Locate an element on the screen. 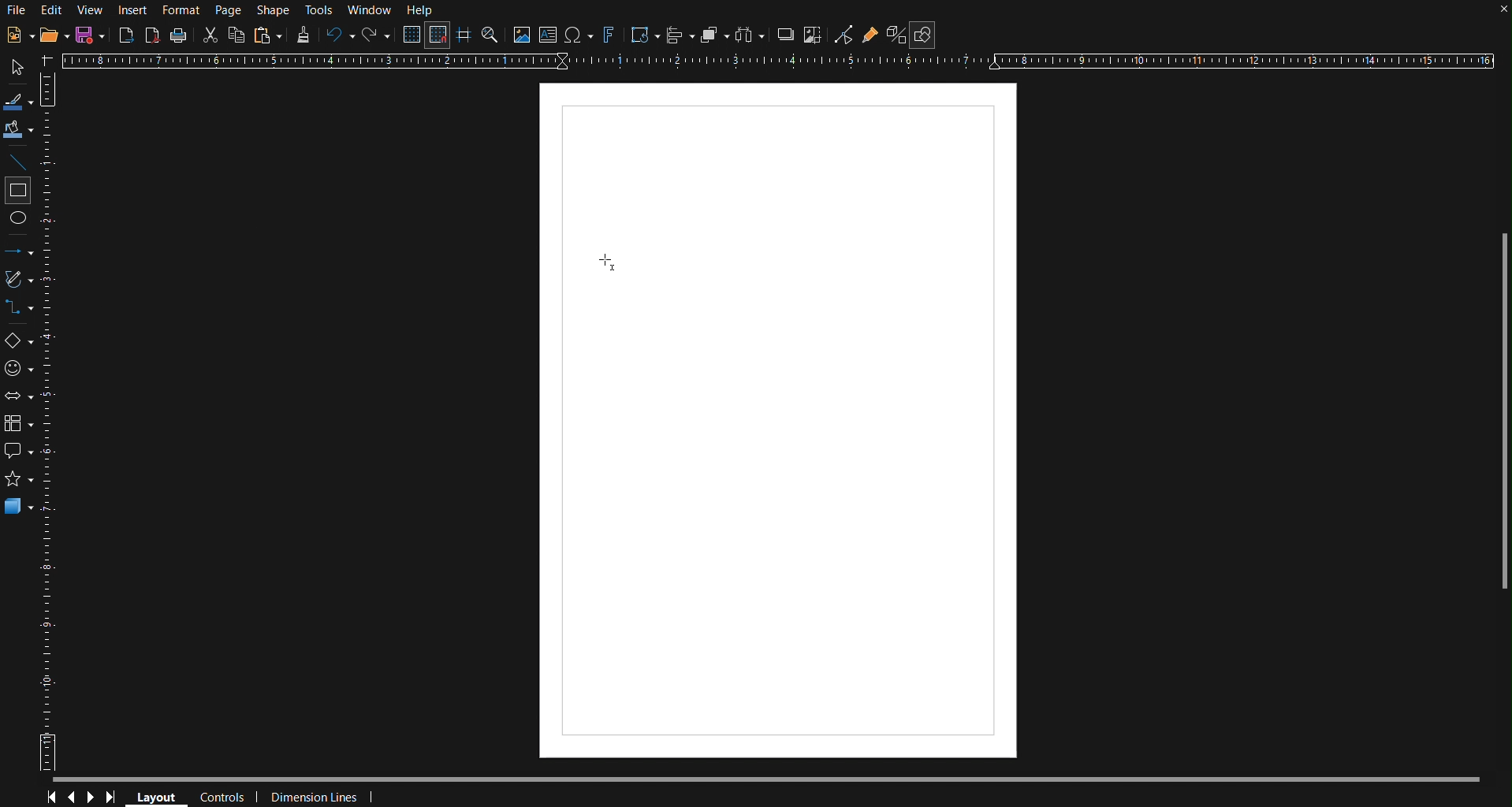  Insert is located at coordinates (131, 10).